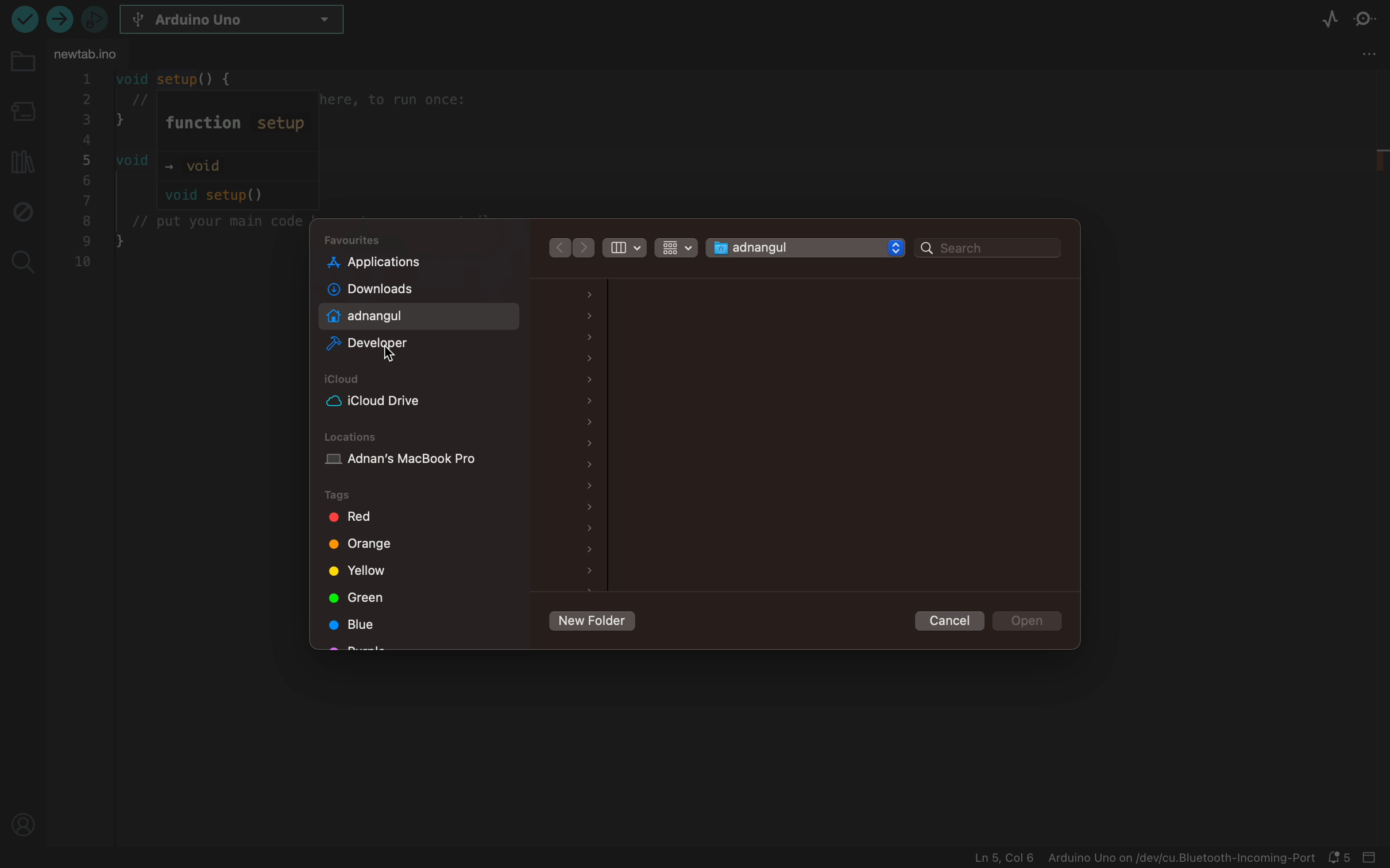  What do you see at coordinates (25, 825) in the screenshot?
I see `profile` at bounding box center [25, 825].